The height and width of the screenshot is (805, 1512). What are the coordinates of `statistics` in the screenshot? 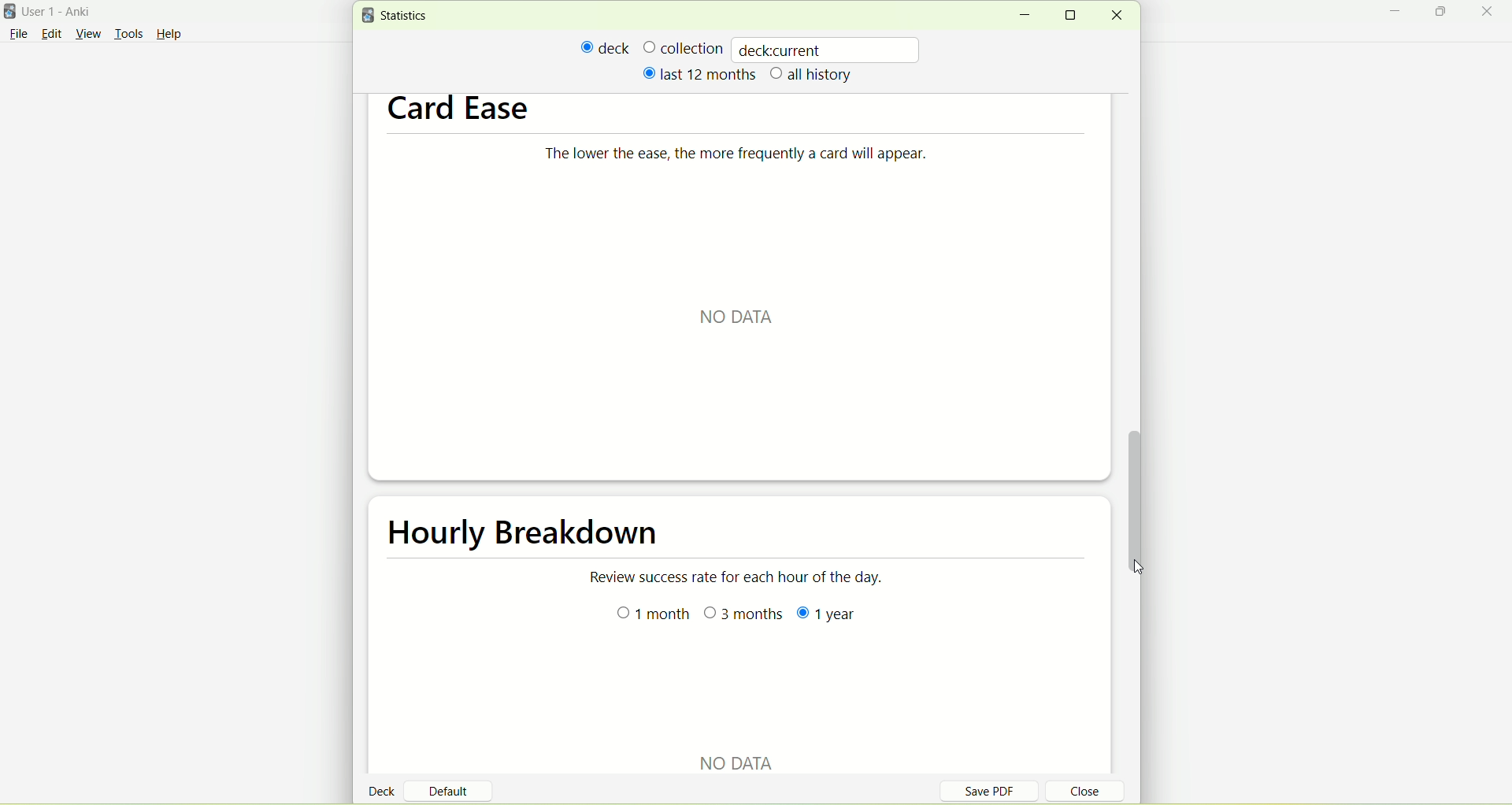 It's located at (398, 16).